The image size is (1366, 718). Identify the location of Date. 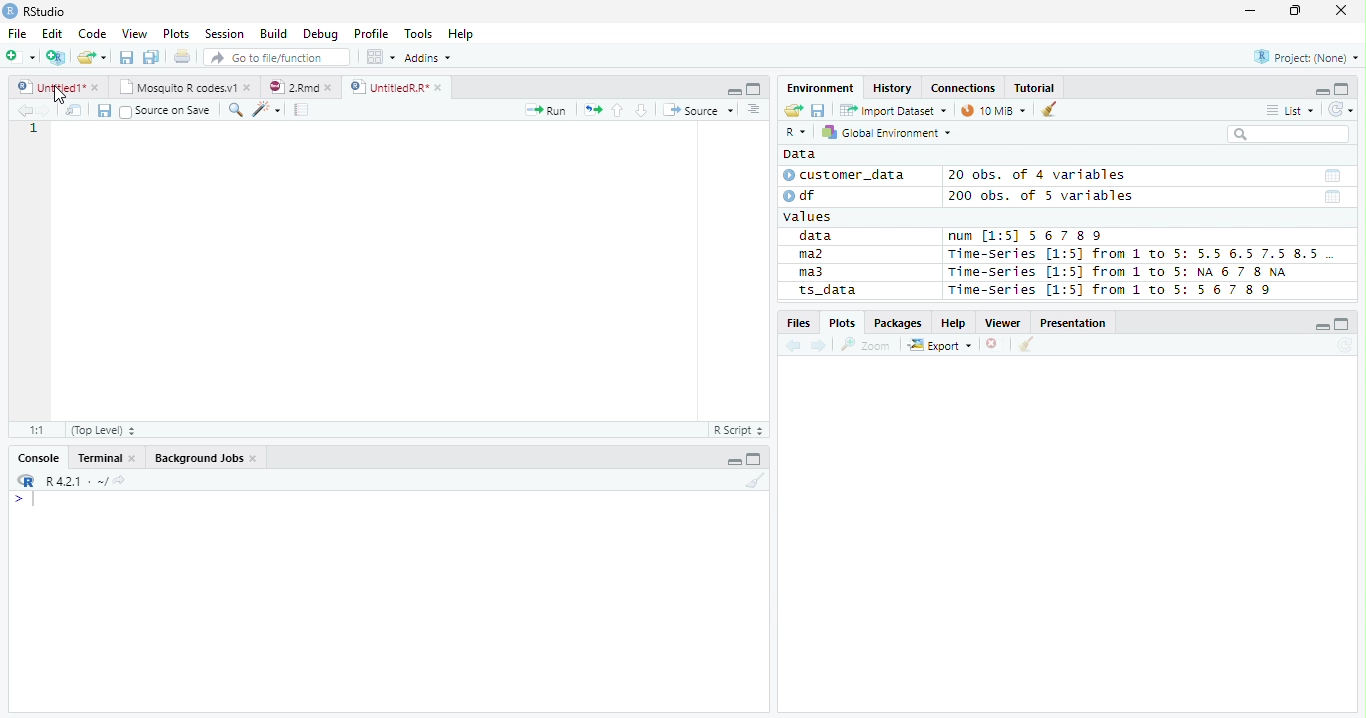
(1331, 176).